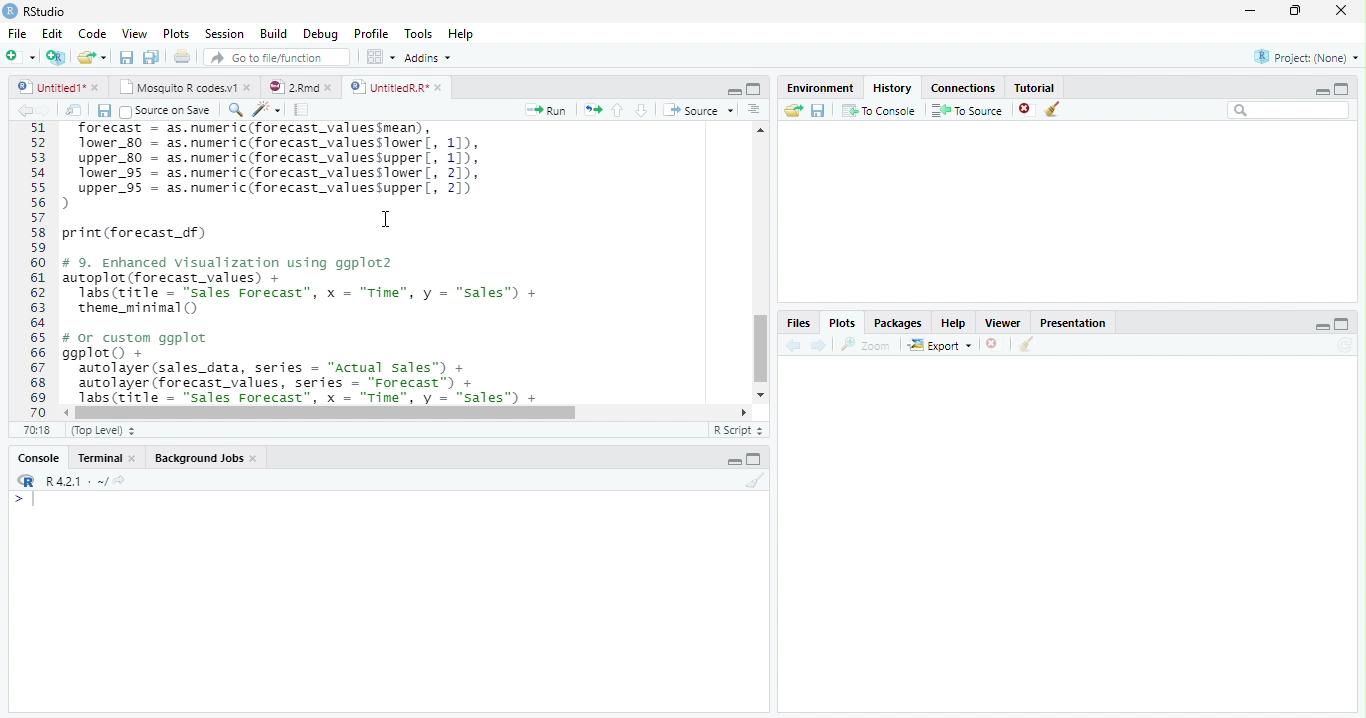 The width and height of the screenshot is (1366, 718). What do you see at coordinates (734, 91) in the screenshot?
I see `Minimize` at bounding box center [734, 91].